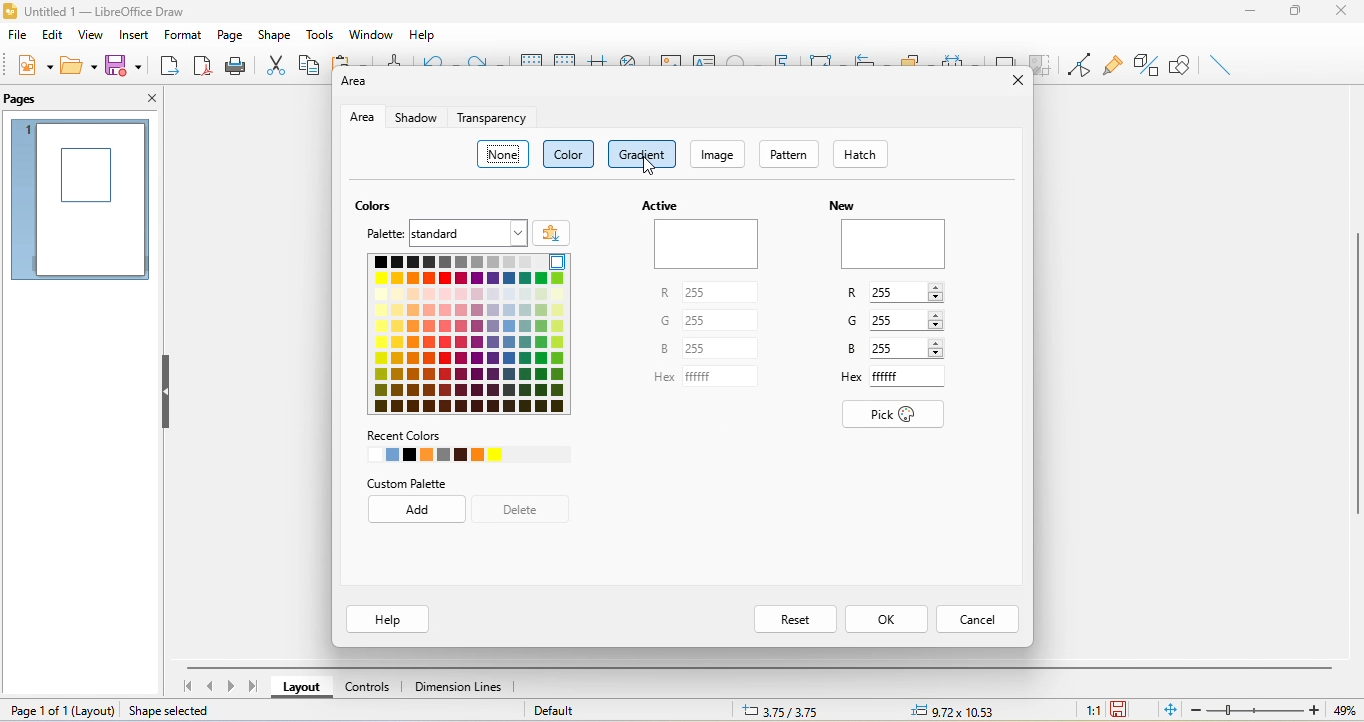  Describe the element at coordinates (567, 154) in the screenshot. I see `color` at that location.